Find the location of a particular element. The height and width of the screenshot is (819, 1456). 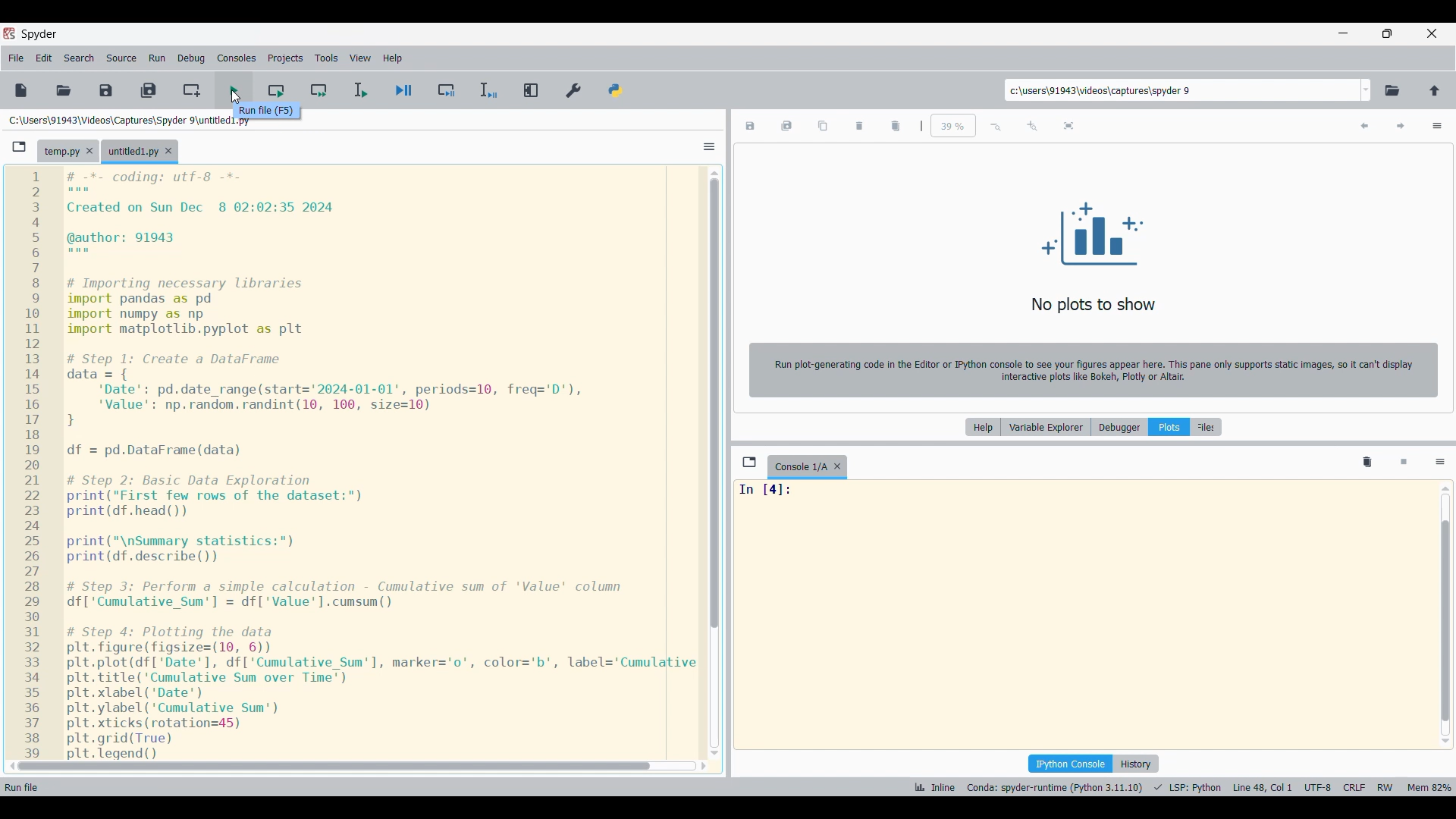

Run current cell is located at coordinates (278, 83).